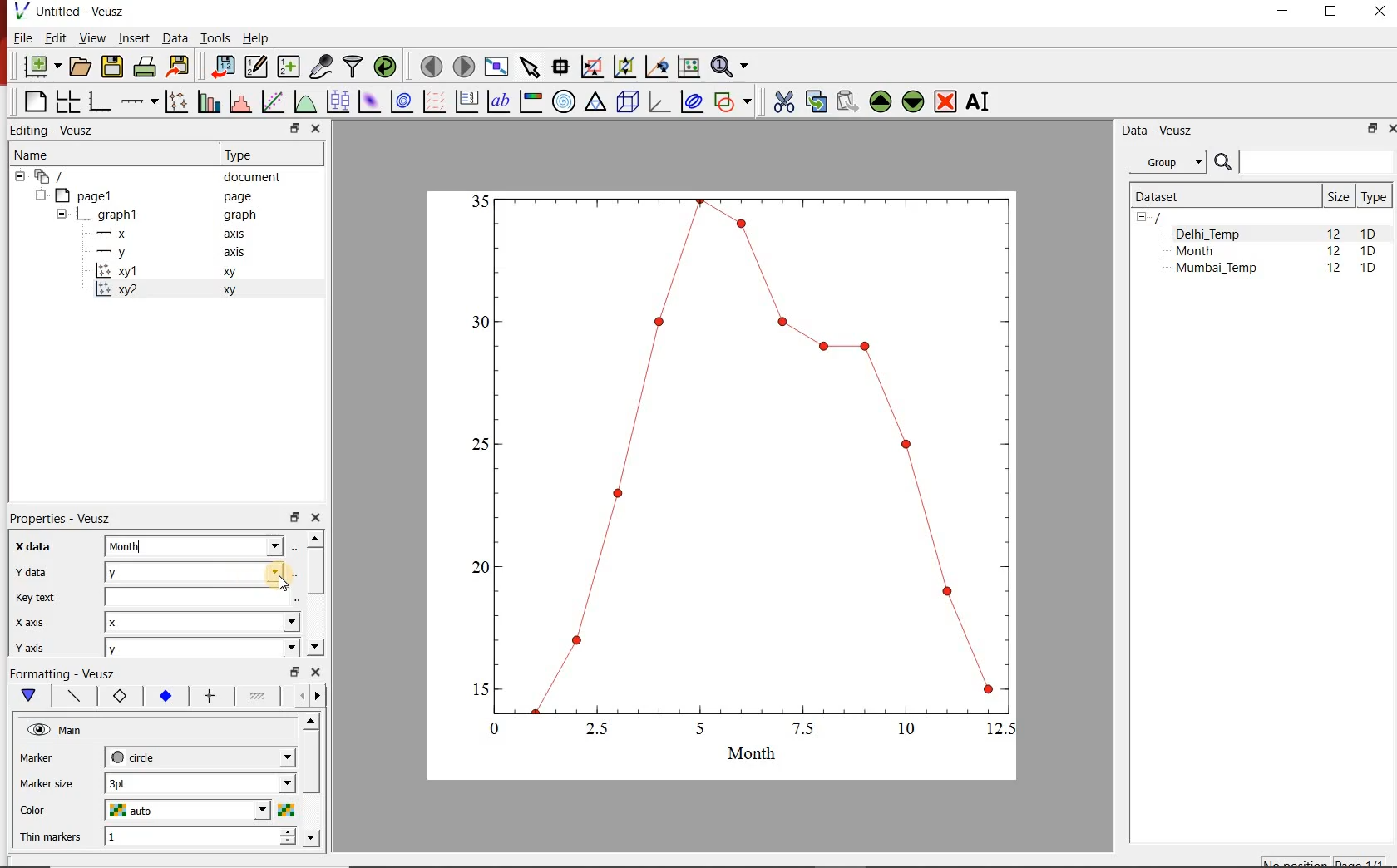 Image resolution: width=1397 pixels, height=868 pixels. Describe the element at coordinates (402, 102) in the screenshot. I see `plot a 2d dataset as contours` at that location.